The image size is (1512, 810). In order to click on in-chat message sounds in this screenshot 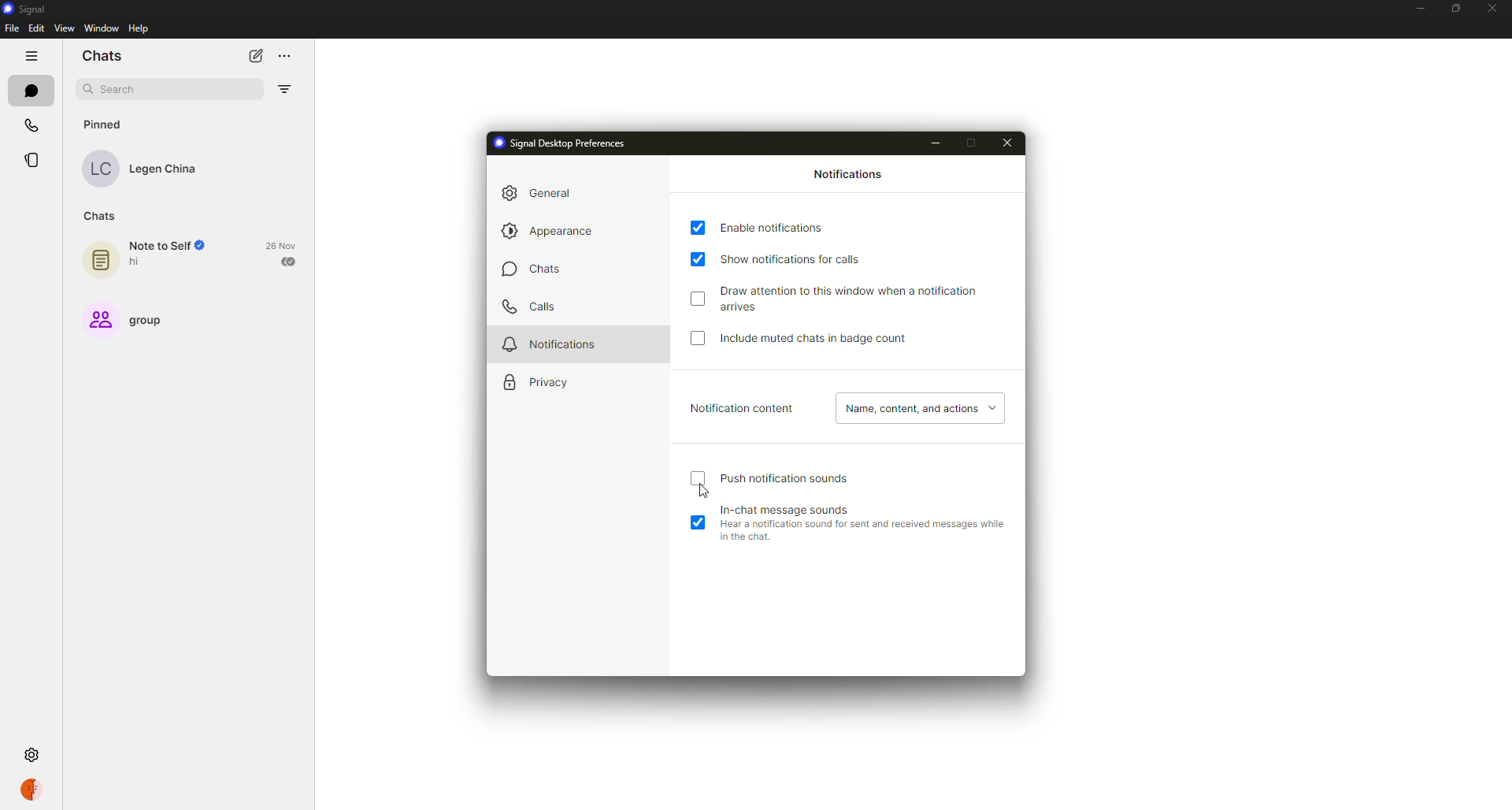, I will do `click(863, 519)`.